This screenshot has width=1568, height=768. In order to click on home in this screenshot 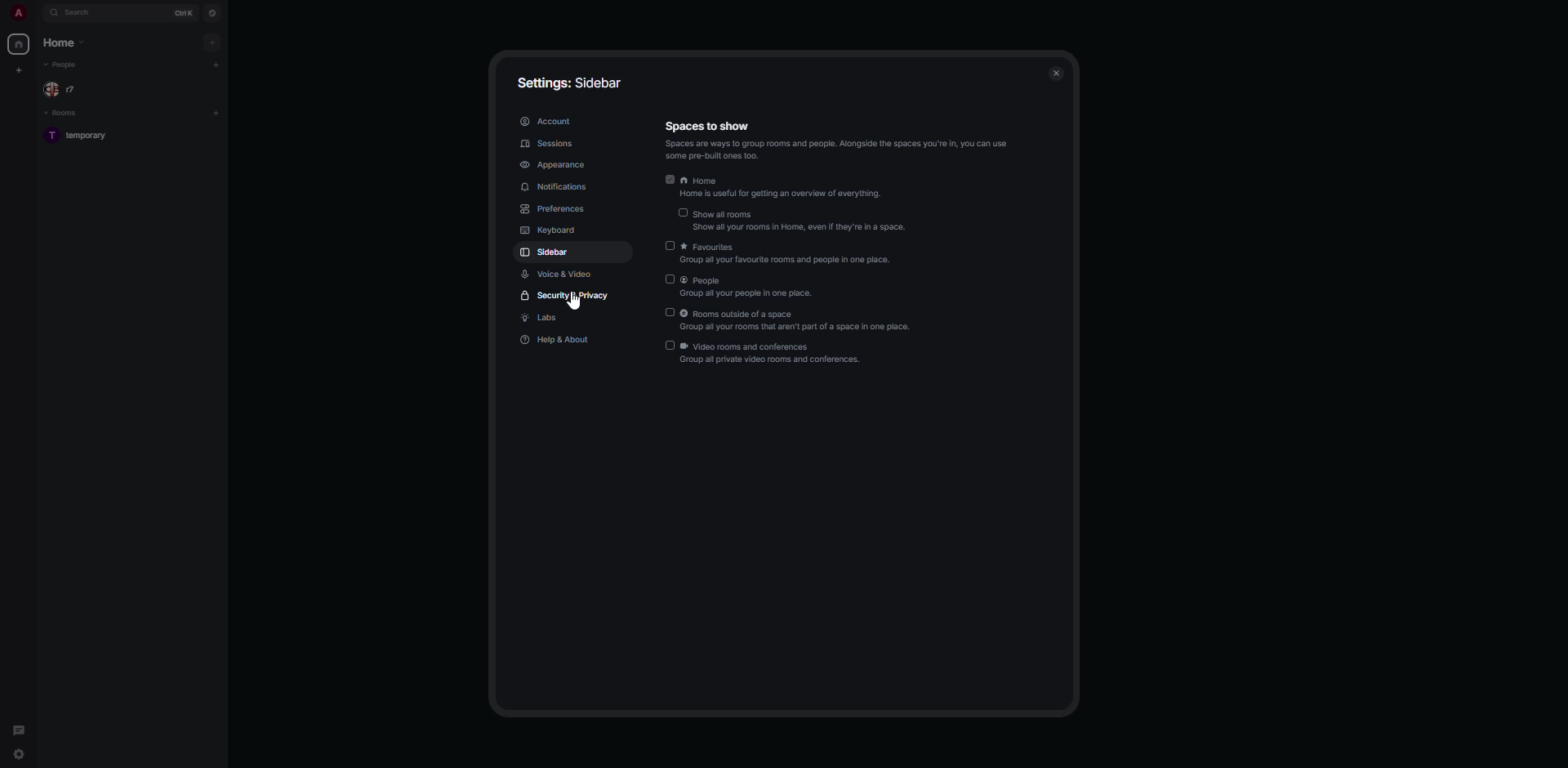, I will do `click(65, 44)`.